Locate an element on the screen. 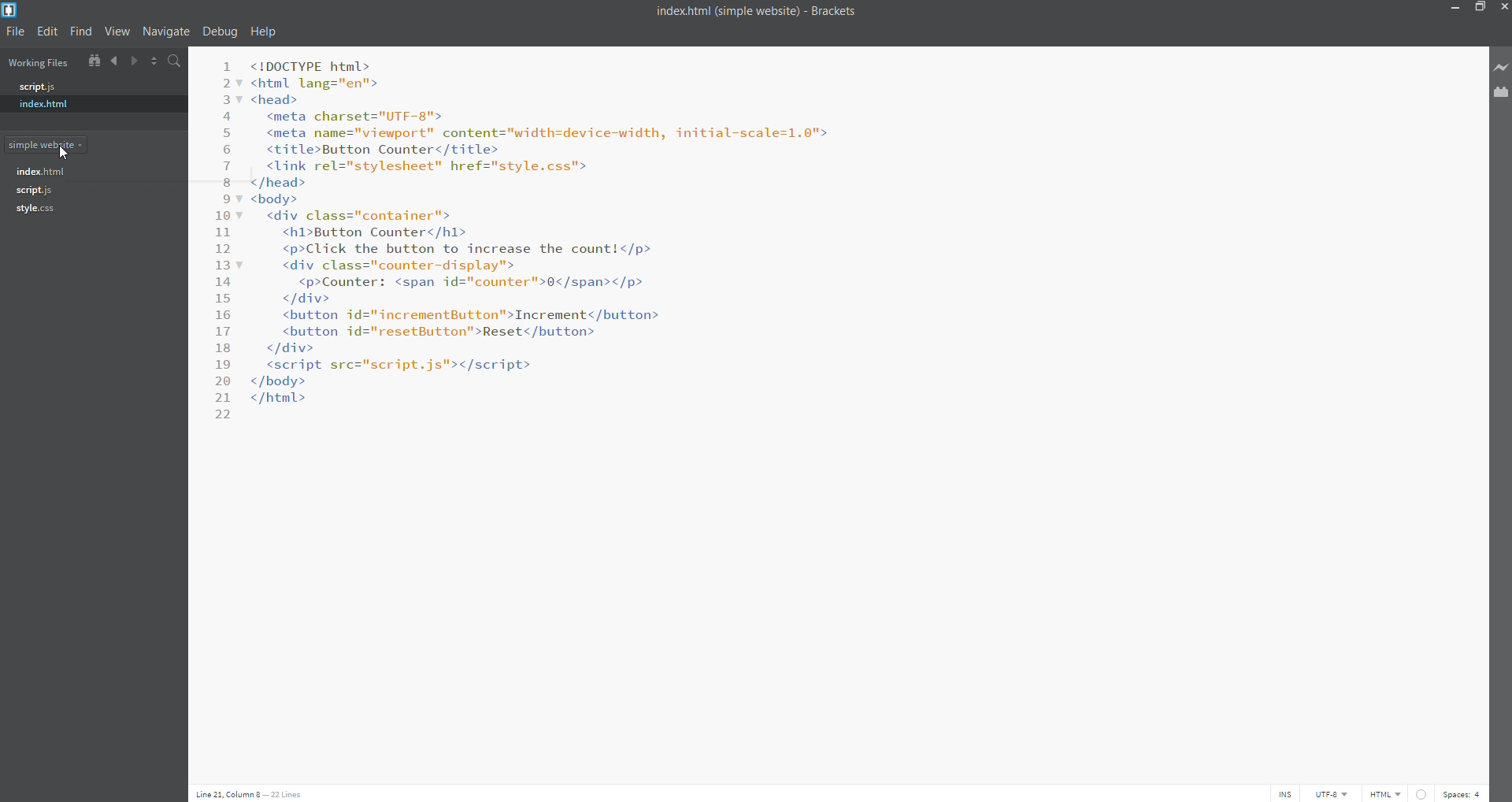  cursor is located at coordinates (65, 154).